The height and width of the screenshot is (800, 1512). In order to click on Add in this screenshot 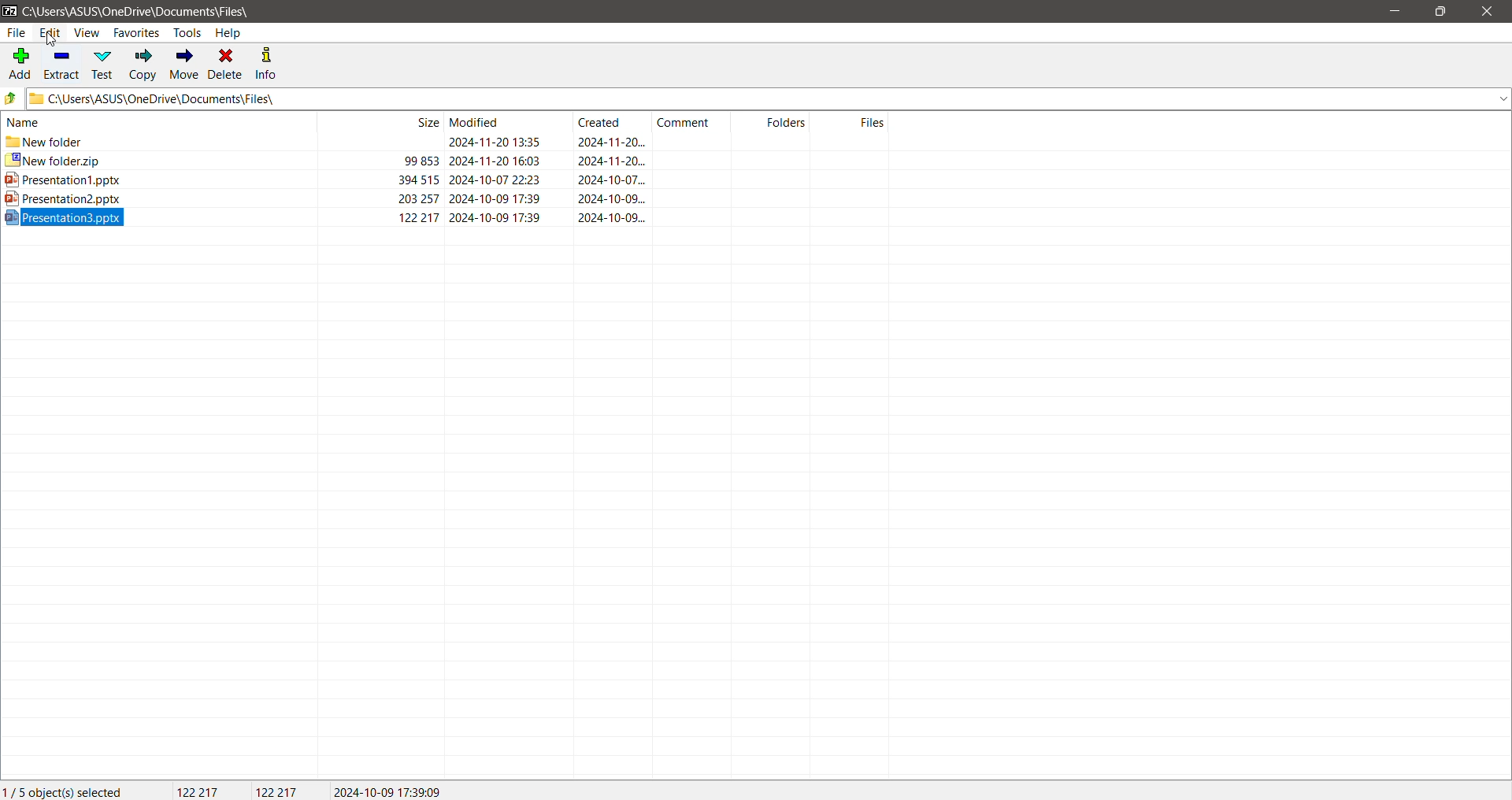, I will do `click(20, 61)`.